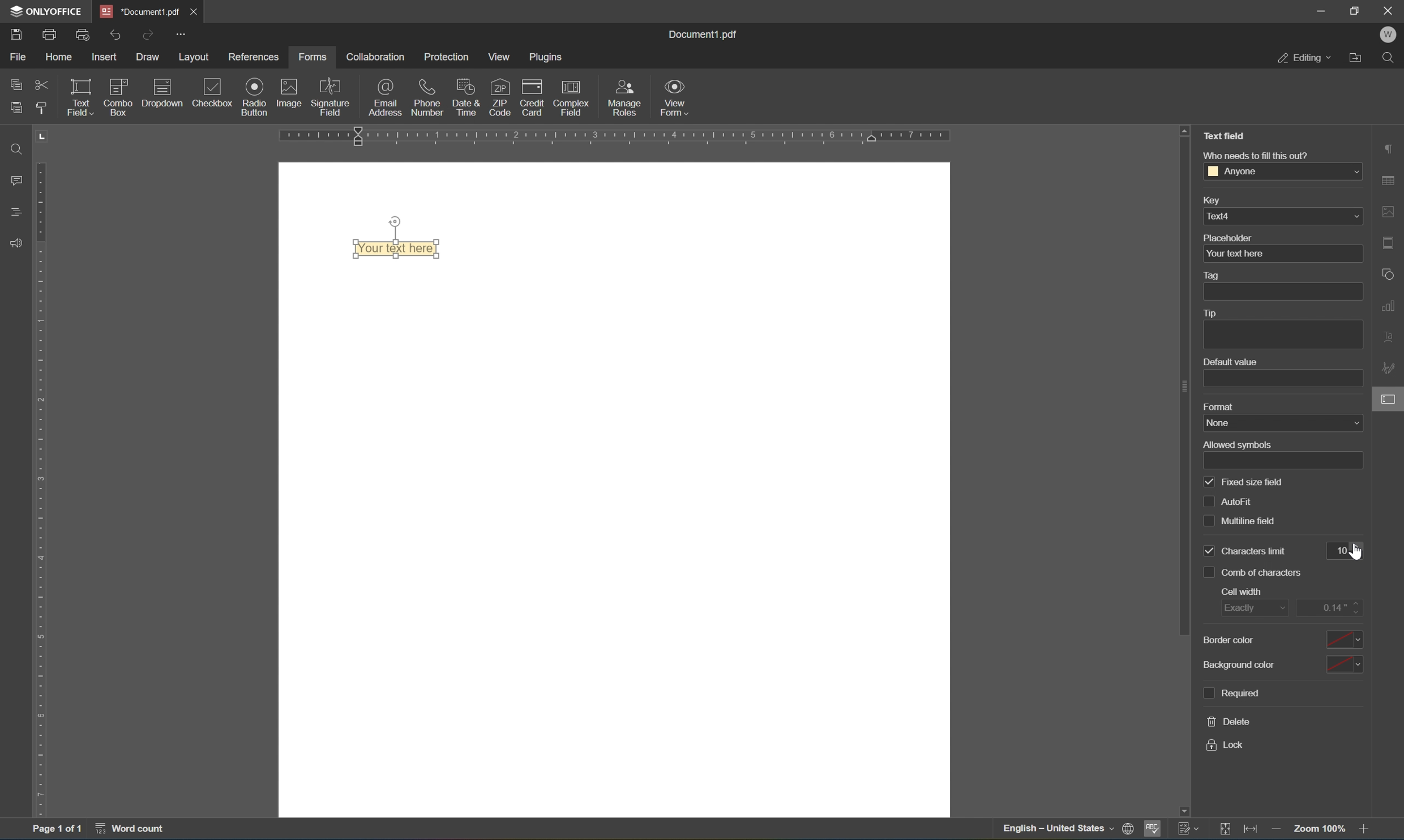 The height and width of the screenshot is (840, 1404). Describe the element at coordinates (1256, 551) in the screenshot. I see `characters limit` at that location.